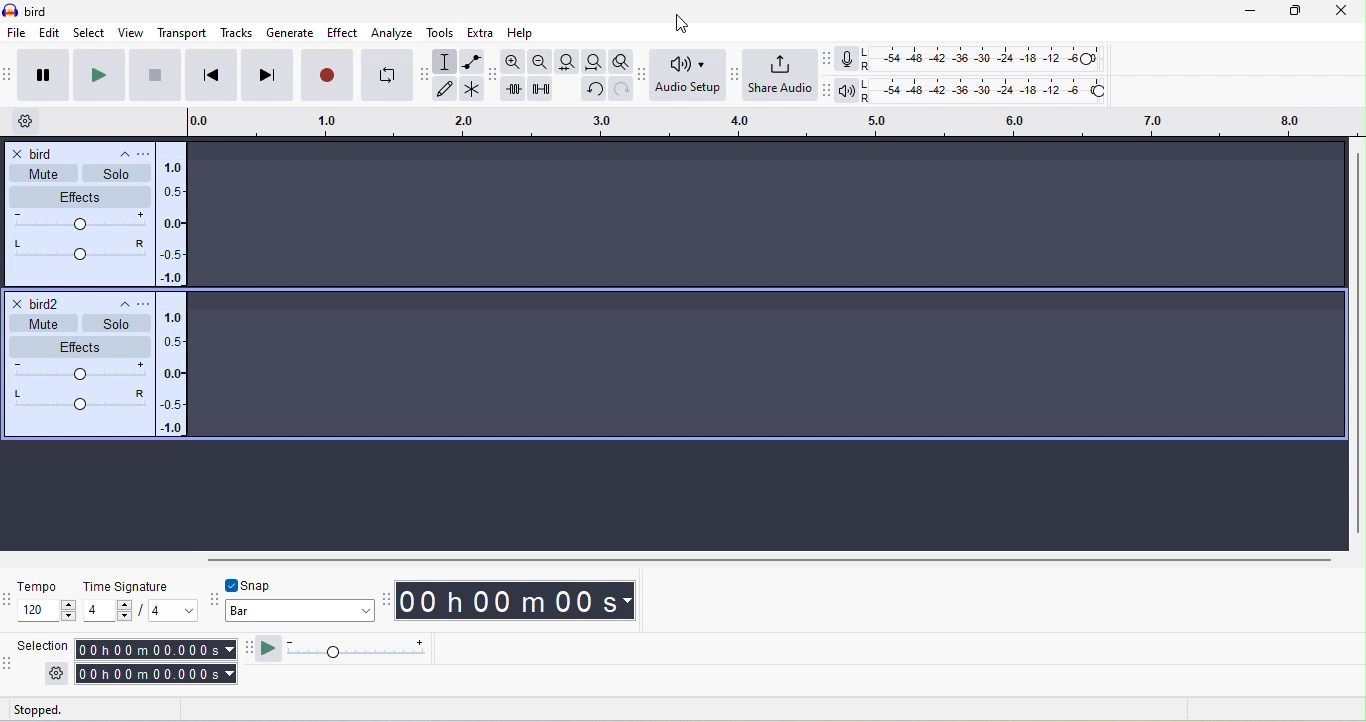  What do you see at coordinates (130, 34) in the screenshot?
I see `view` at bounding box center [130, 34].